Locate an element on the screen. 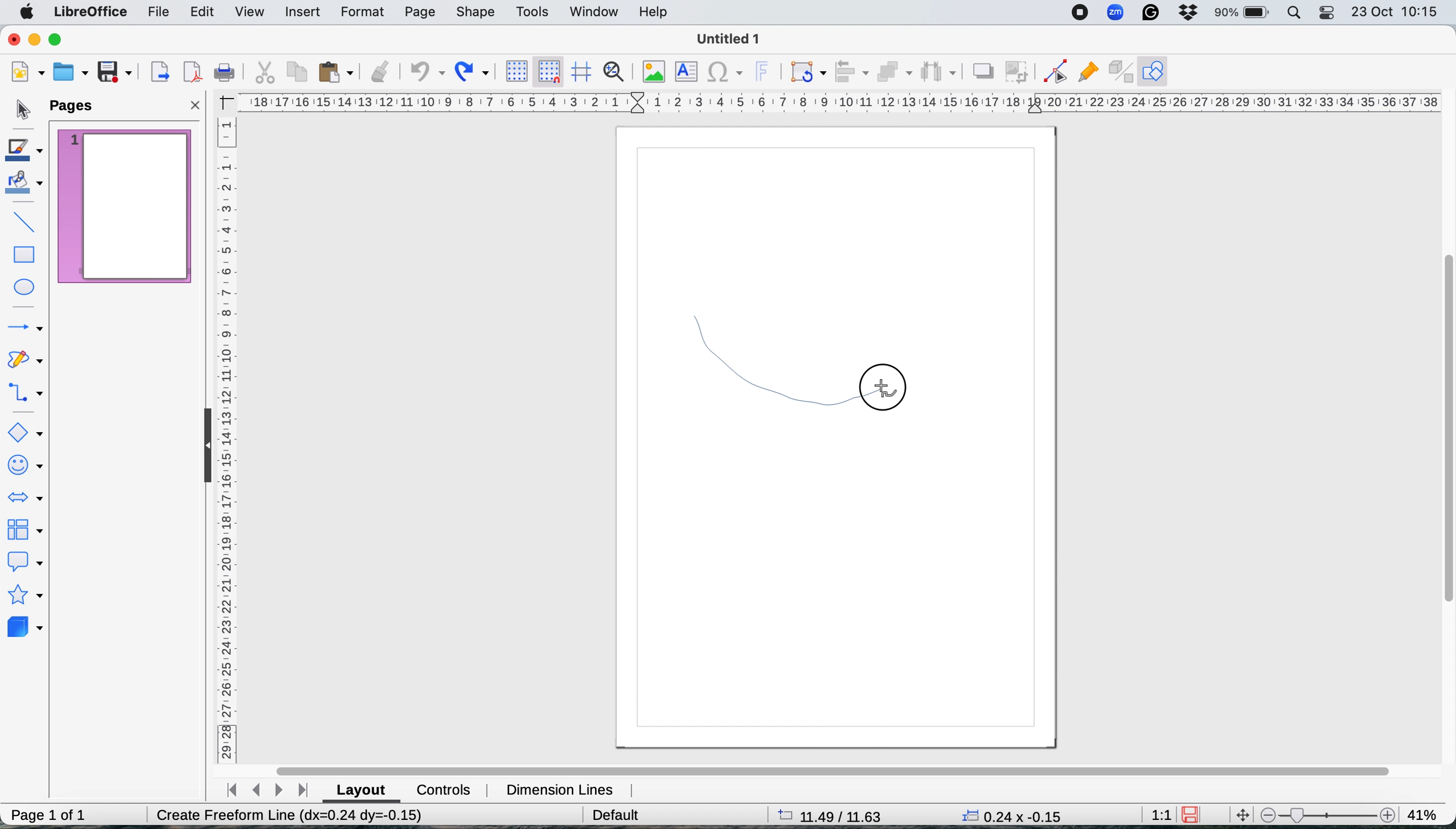 This screenshot has width=1456, height=829. minimise is located at coordinates (34, 40).